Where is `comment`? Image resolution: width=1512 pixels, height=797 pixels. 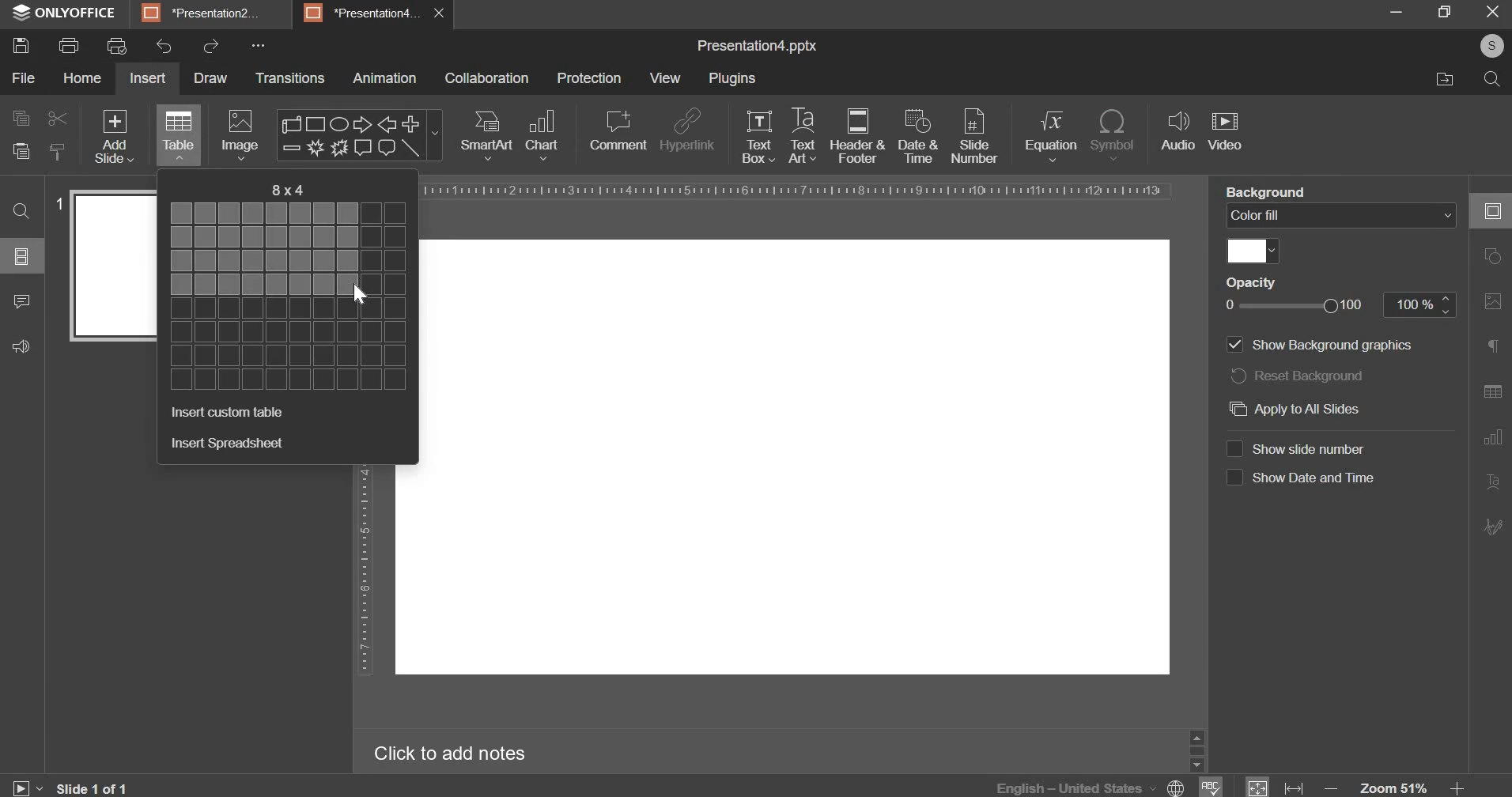
comment is located at coordinates (620, 131).